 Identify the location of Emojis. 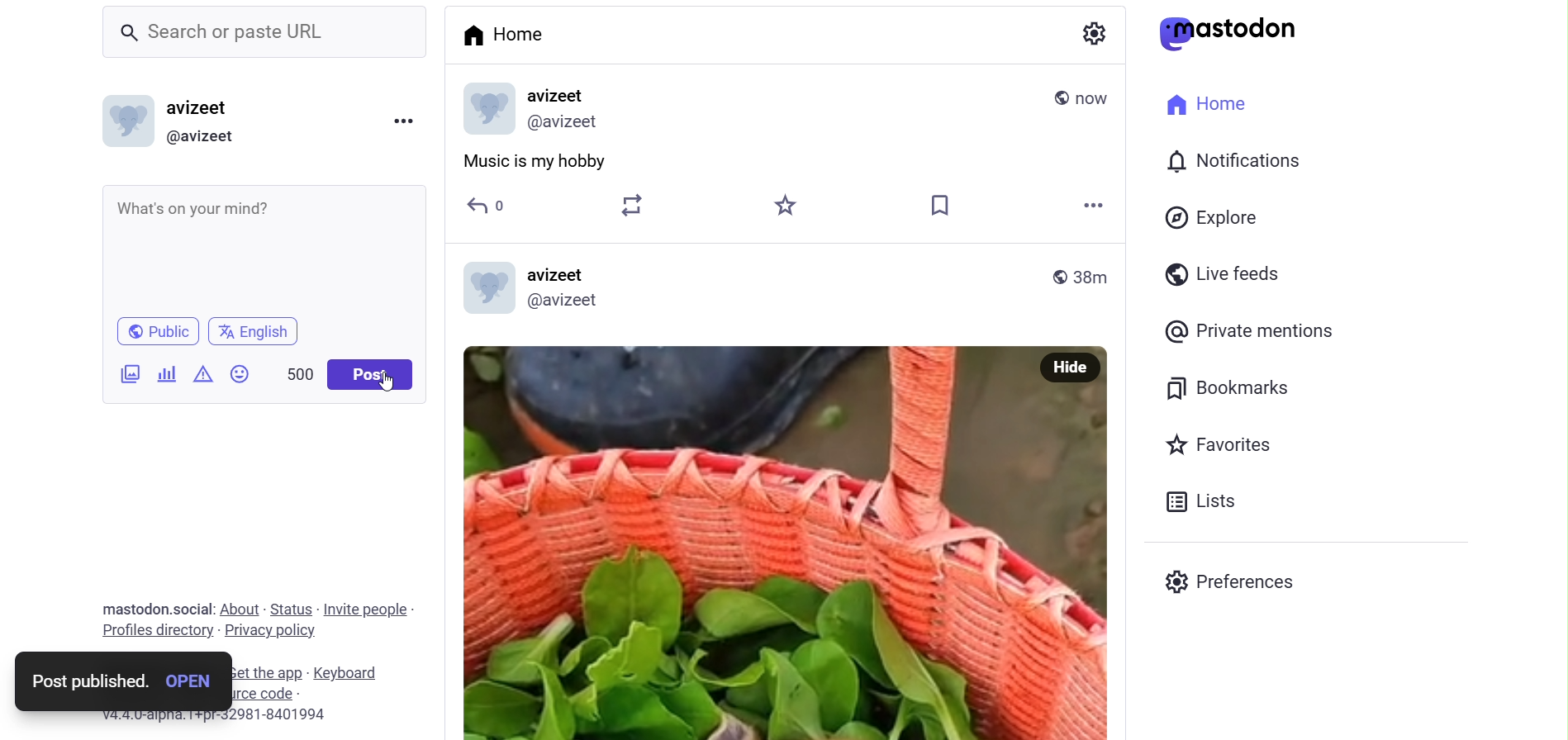
(242, 373).